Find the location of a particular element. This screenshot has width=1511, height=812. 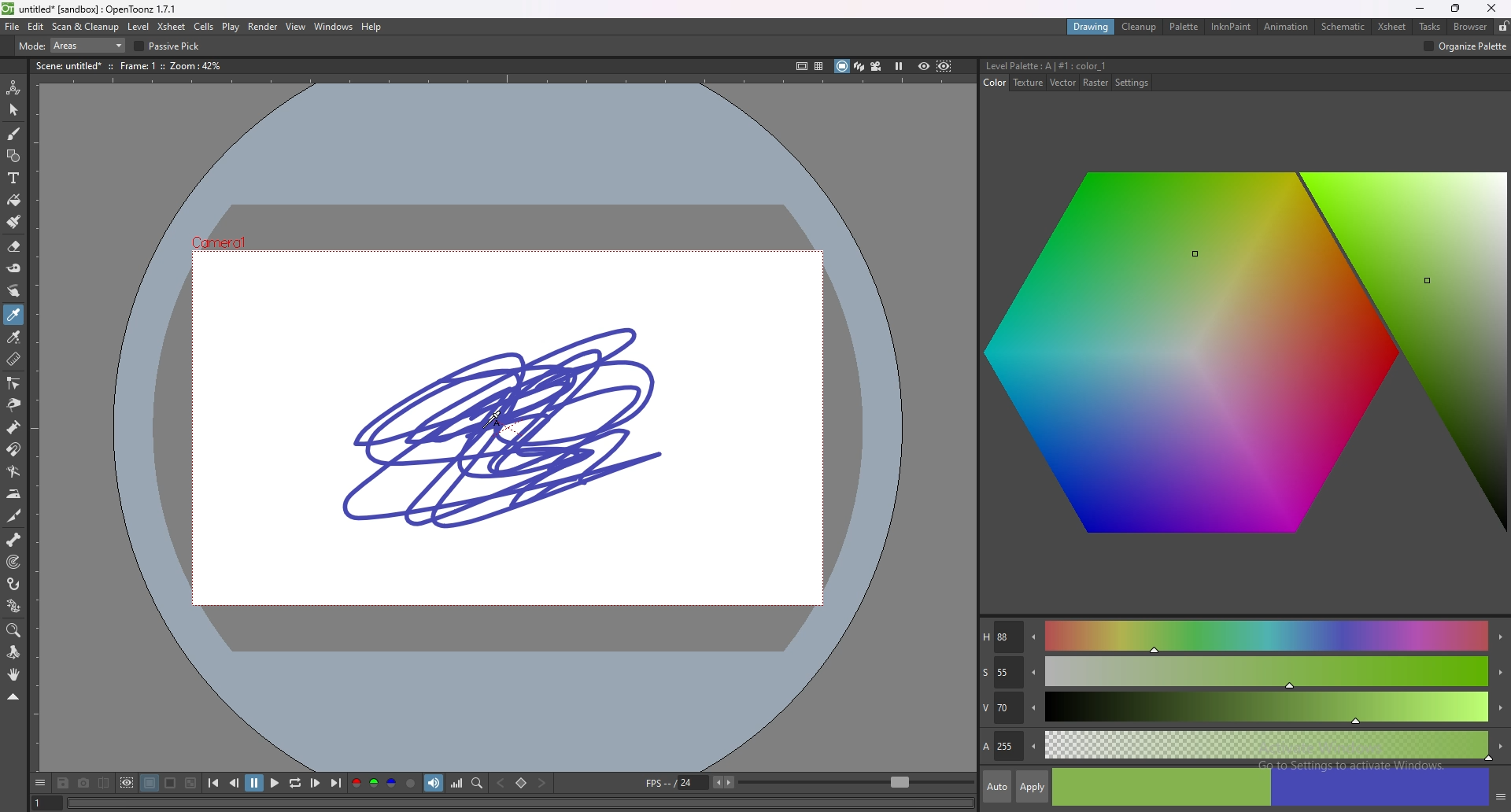

cursor is located at coordinates (497, 413).